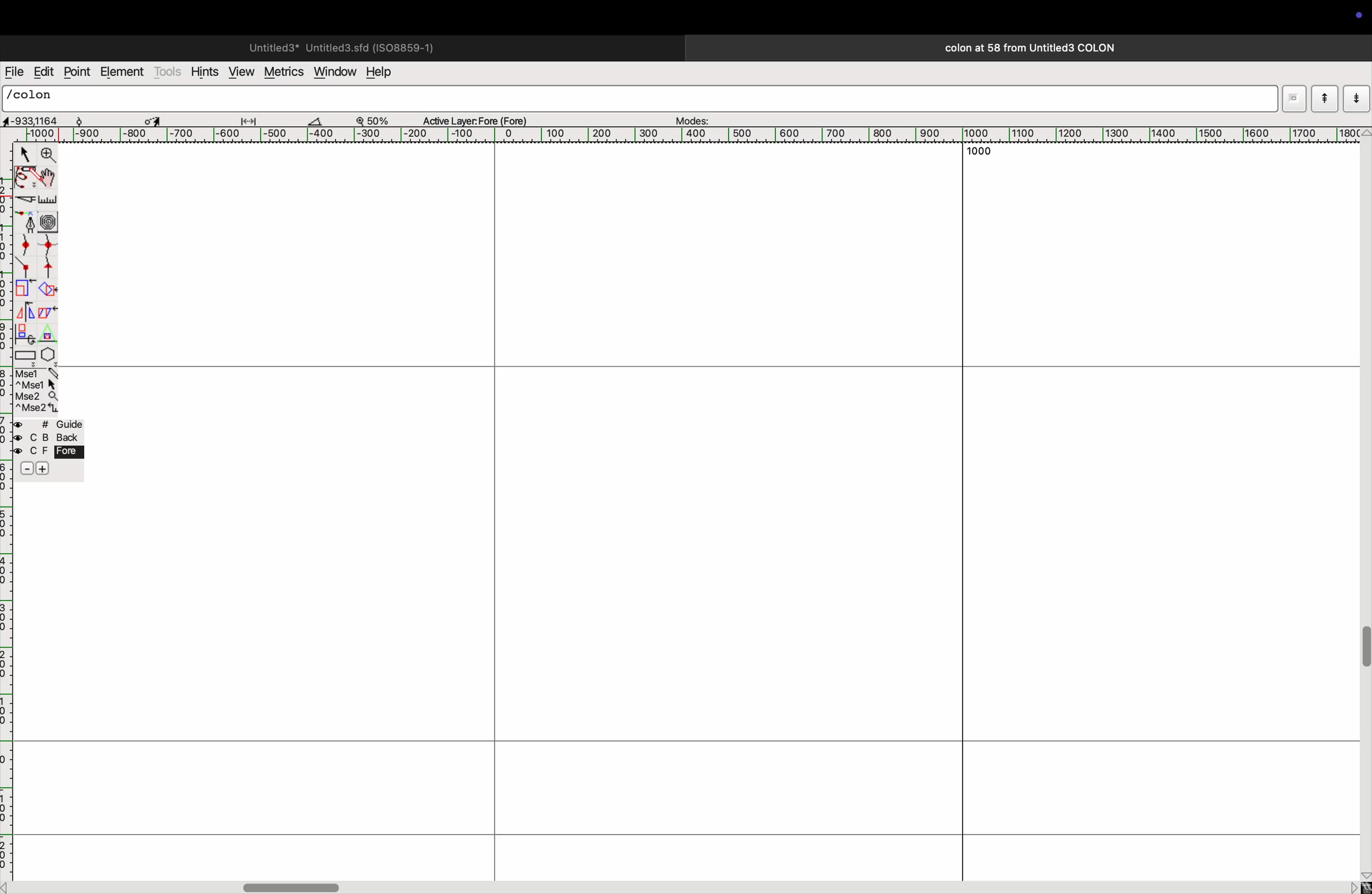 This screenshot has width=1372, height=894. I want to click on knife, so click(24, 201).